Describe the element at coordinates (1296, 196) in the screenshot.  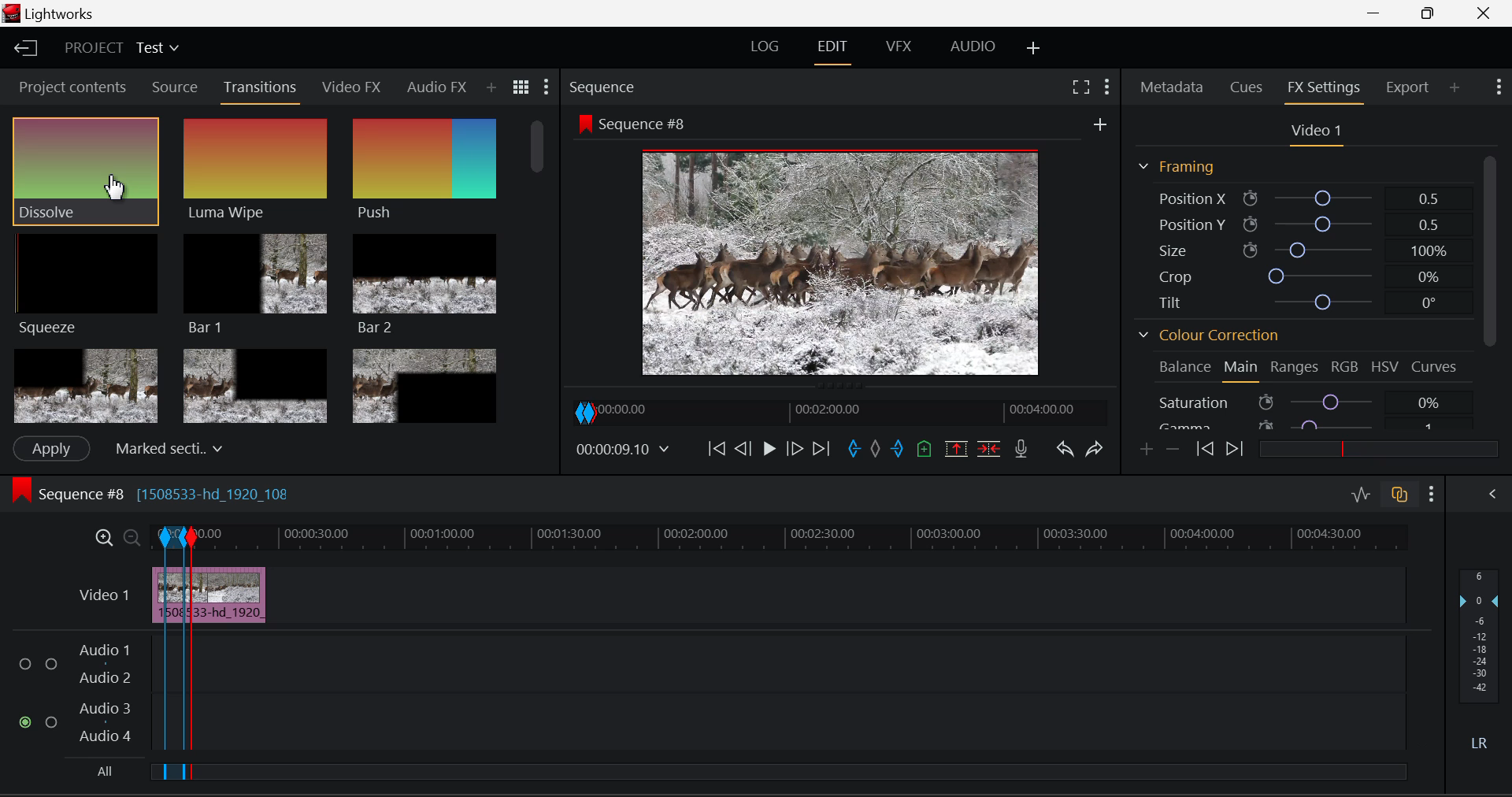
I see `Position X` at that location.